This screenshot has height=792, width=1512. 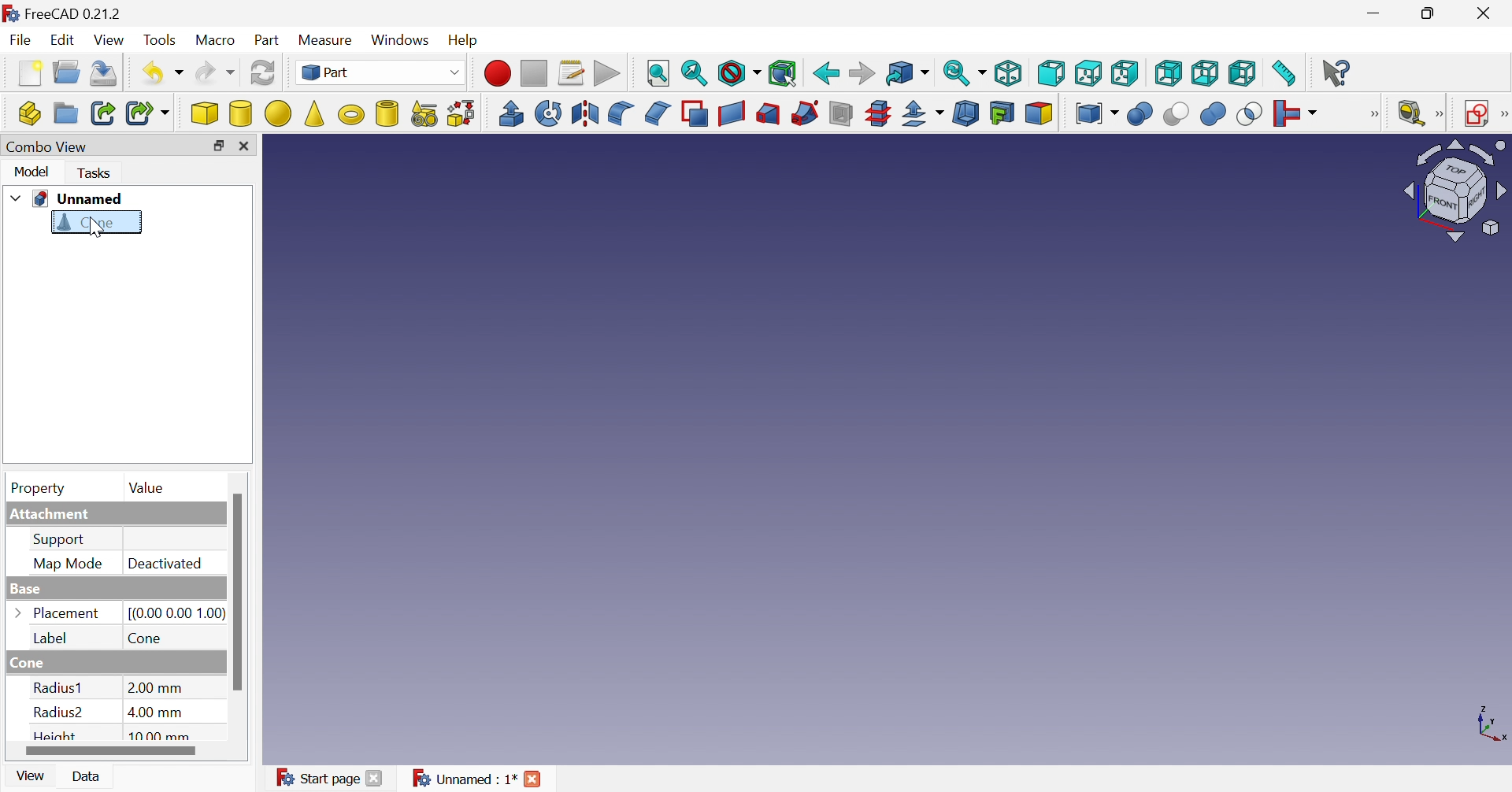 What do you see at coordinates (206, 114) in the screenshot?
I see `Cube` at bounding box center [206, 114].